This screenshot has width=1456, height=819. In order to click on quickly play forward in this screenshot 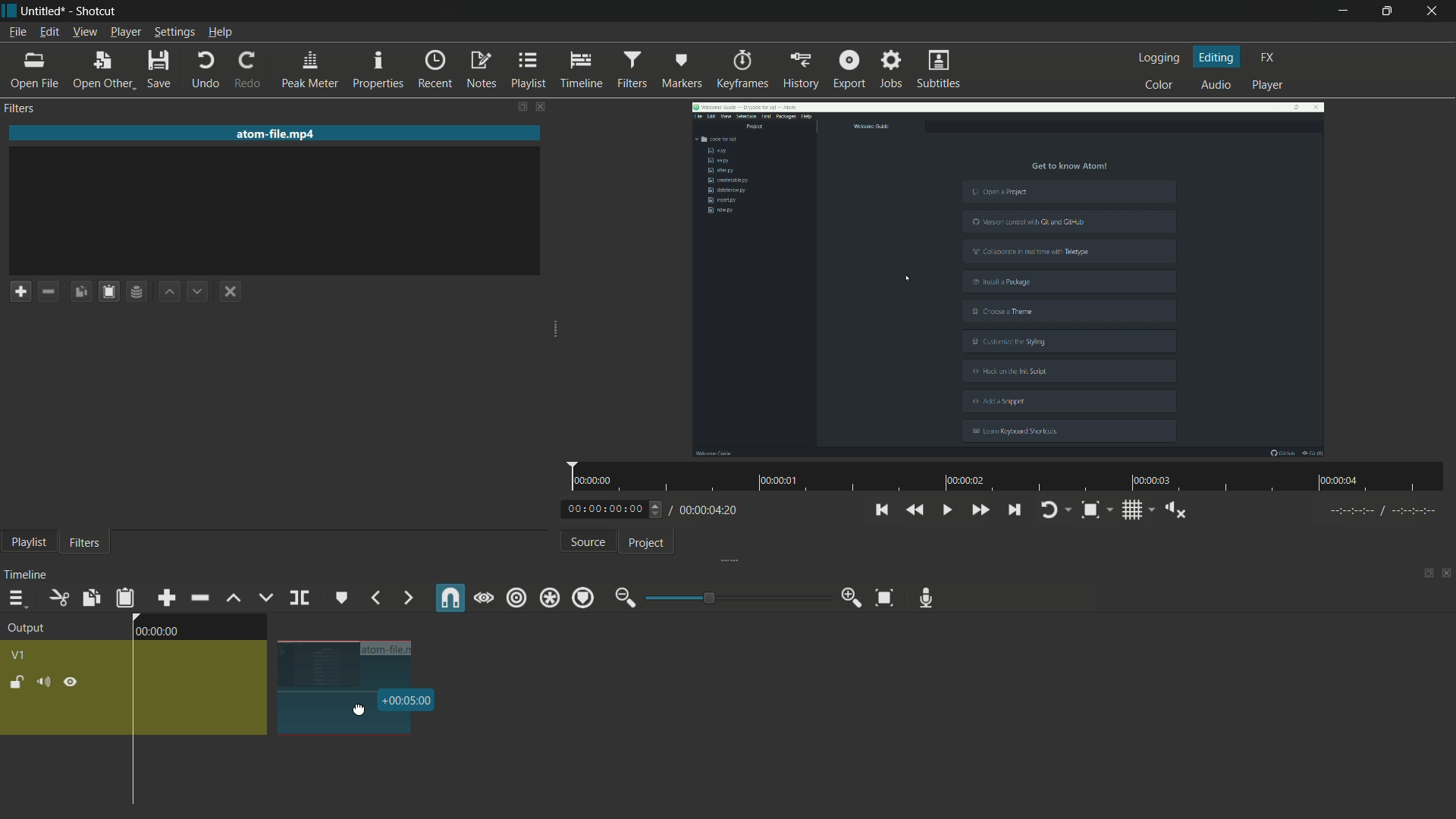, I will do `click(980, 508)`.